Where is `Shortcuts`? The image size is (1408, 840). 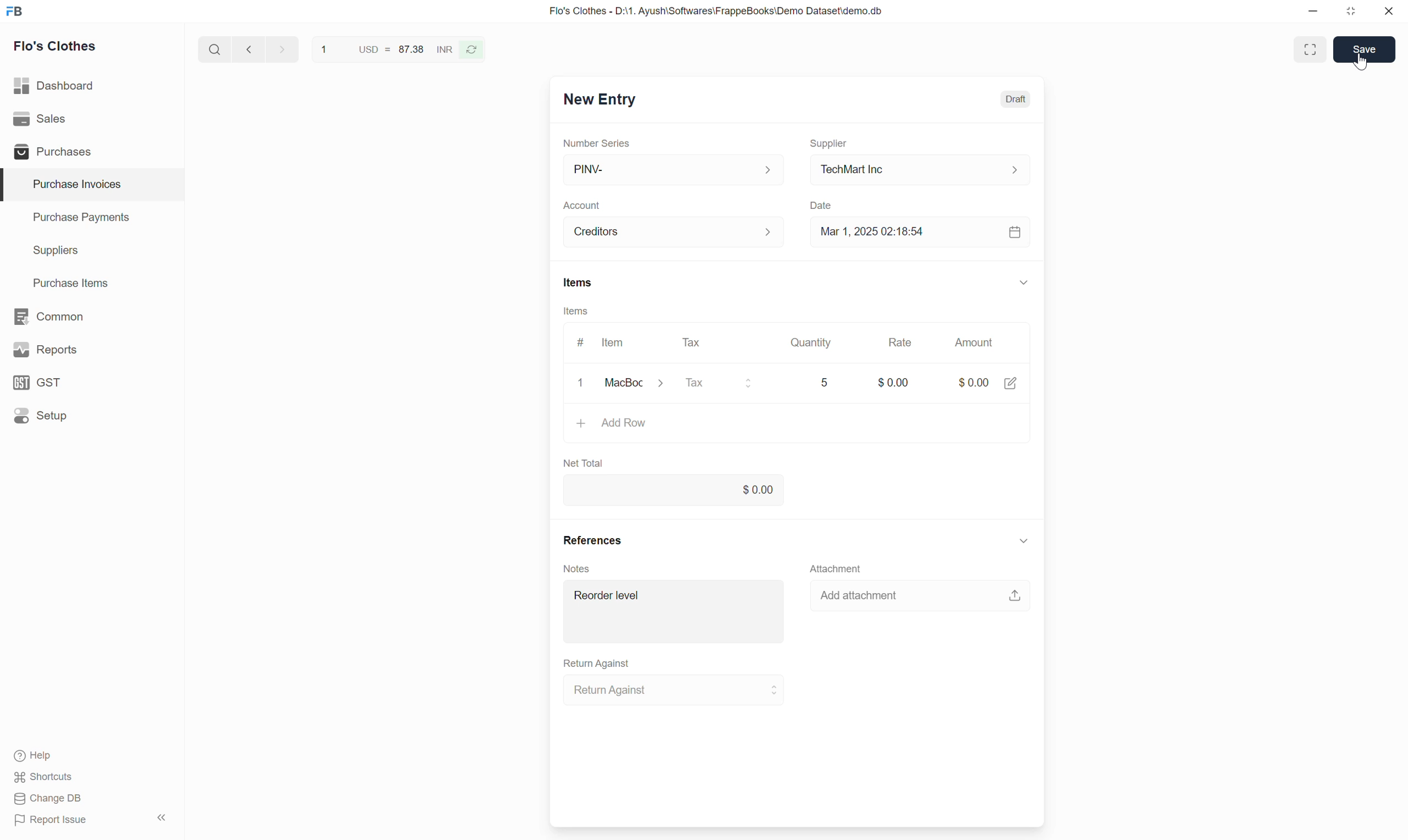 Shortcuts is located at coordinates (44, 777).